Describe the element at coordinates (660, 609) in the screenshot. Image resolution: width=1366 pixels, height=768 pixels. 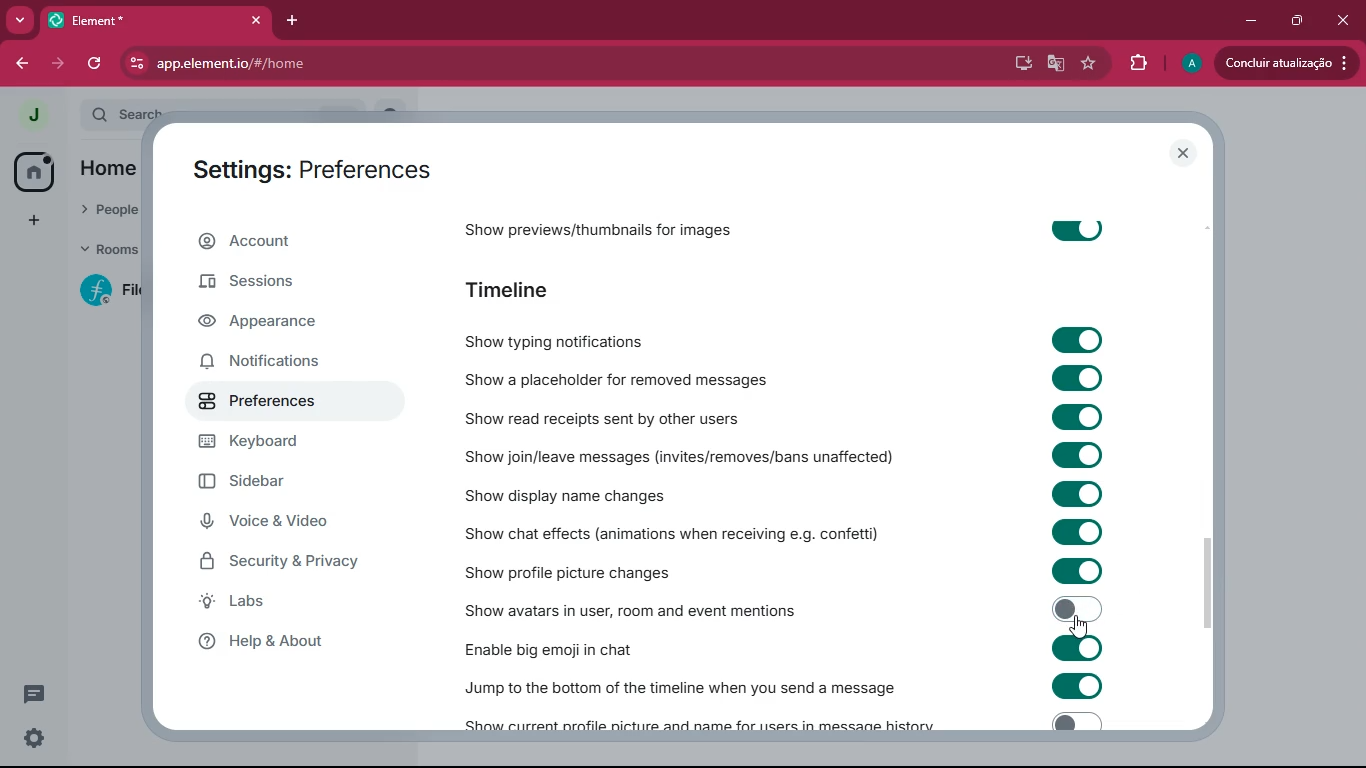
I see `show avatars in user, room and event mentions` at that location.